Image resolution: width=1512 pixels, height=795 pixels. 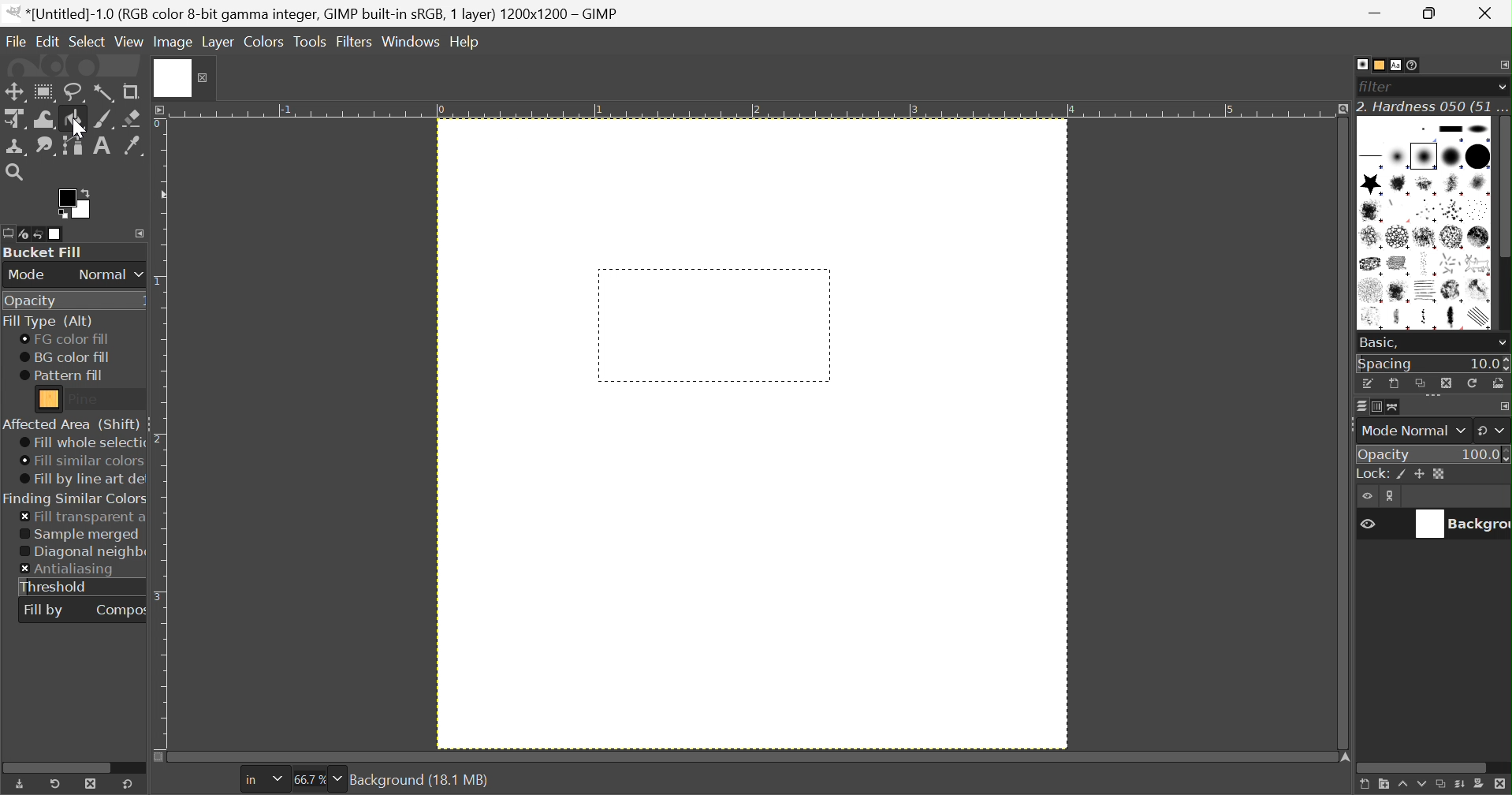 What do you see at coordinates (71, 65) in the screenshot?
I see `Drop image file hereto open them` at bounding box center [71, 65].